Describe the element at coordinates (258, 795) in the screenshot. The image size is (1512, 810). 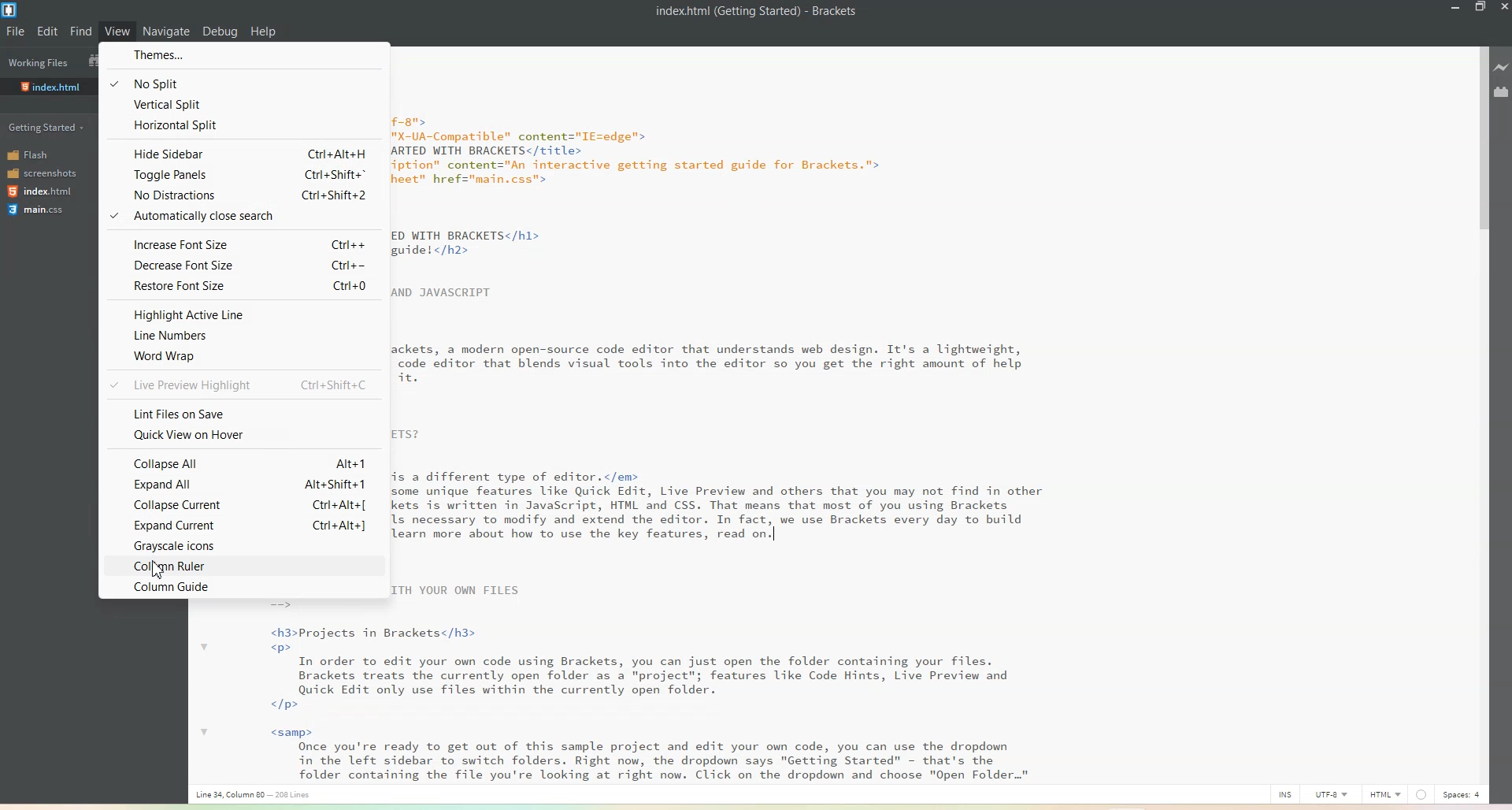
I see `Text 3` at that location.